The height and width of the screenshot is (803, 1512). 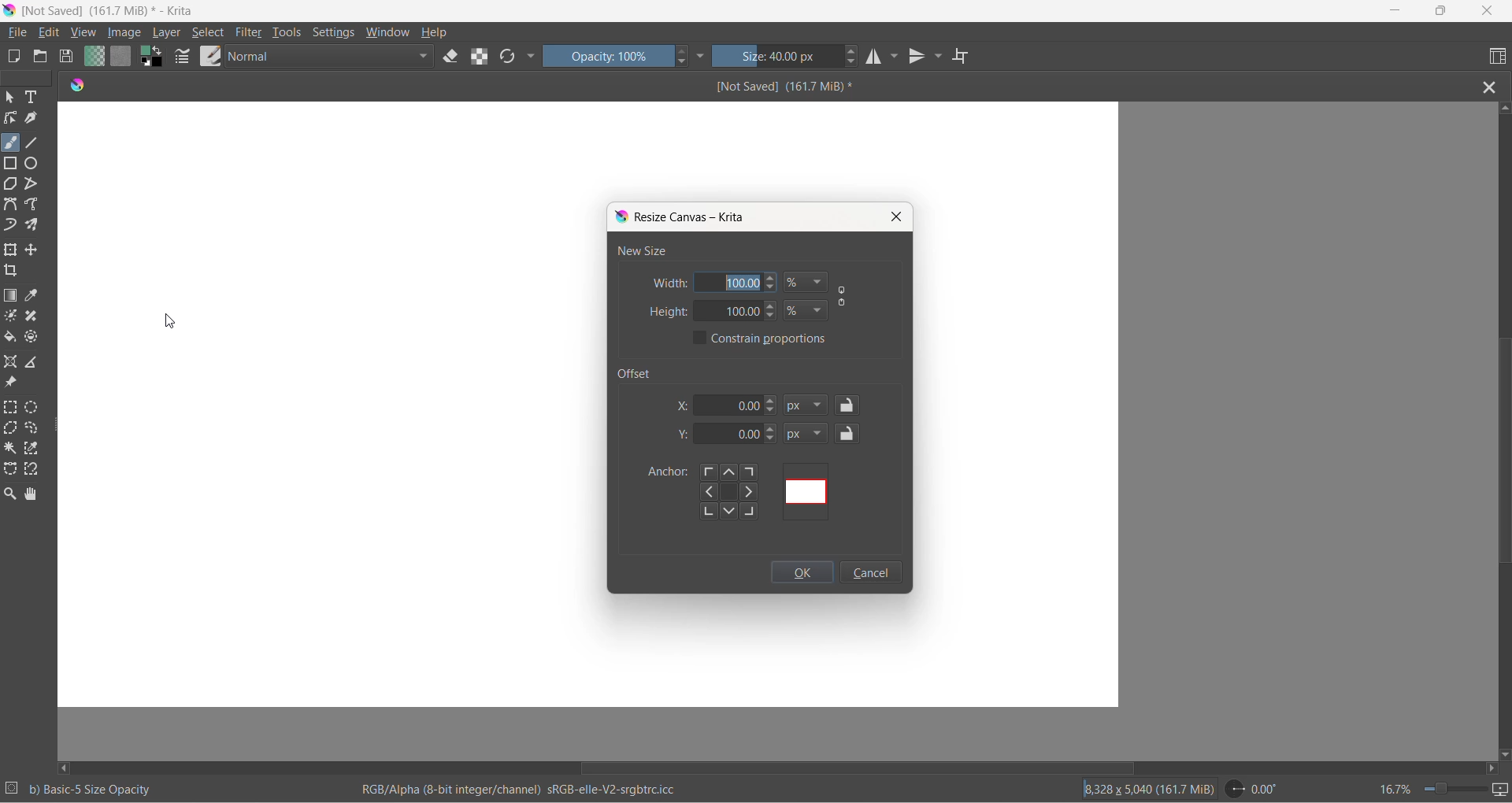 What do you see at coordinates (11, 339) in the screenshot?
I see `fill color` at bounding box center [11, 339].